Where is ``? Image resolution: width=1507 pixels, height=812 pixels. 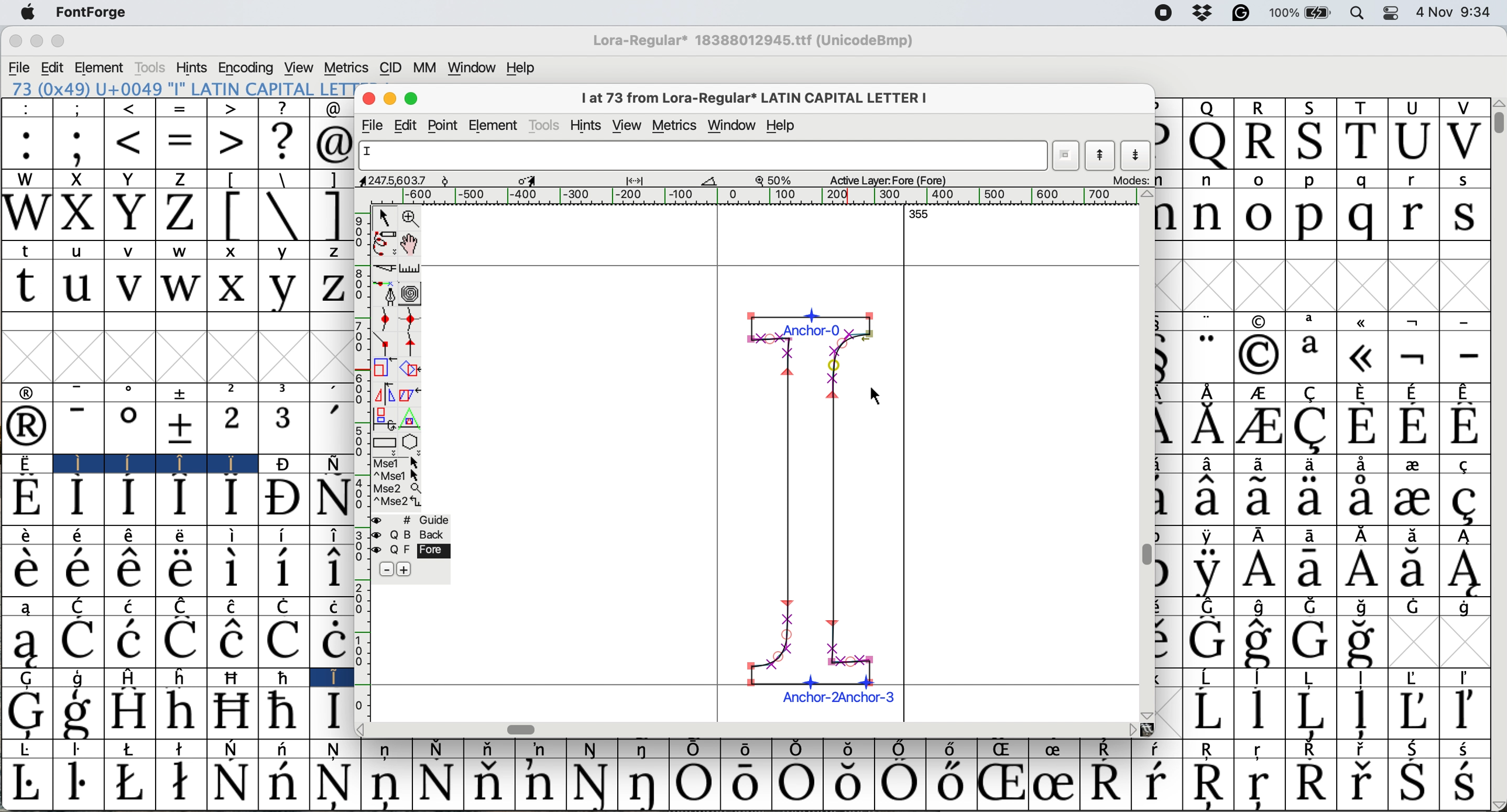  is located at coordinates (378, 532).